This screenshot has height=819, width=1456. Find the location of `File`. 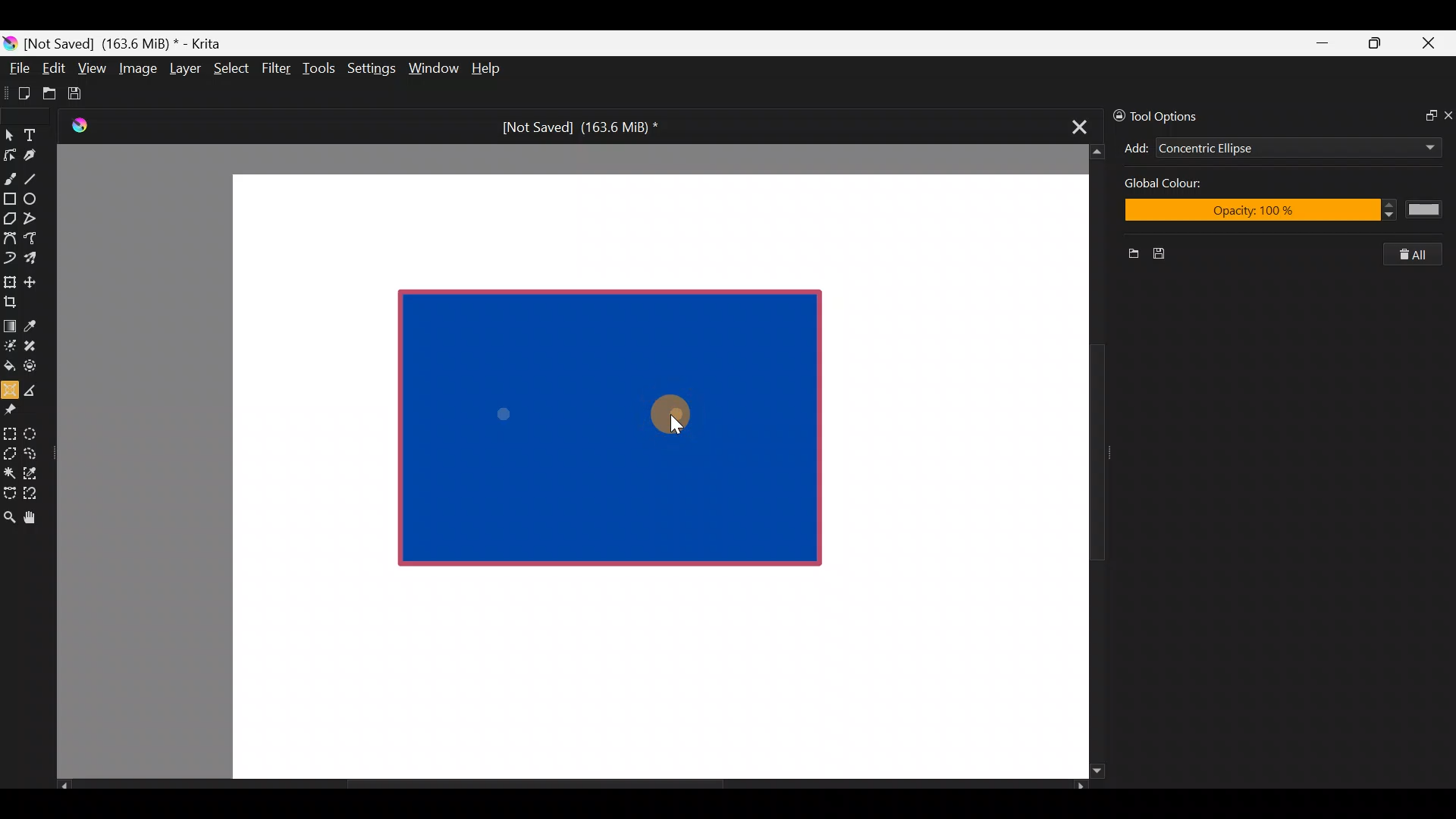

File is located at coordinates (15, 71).